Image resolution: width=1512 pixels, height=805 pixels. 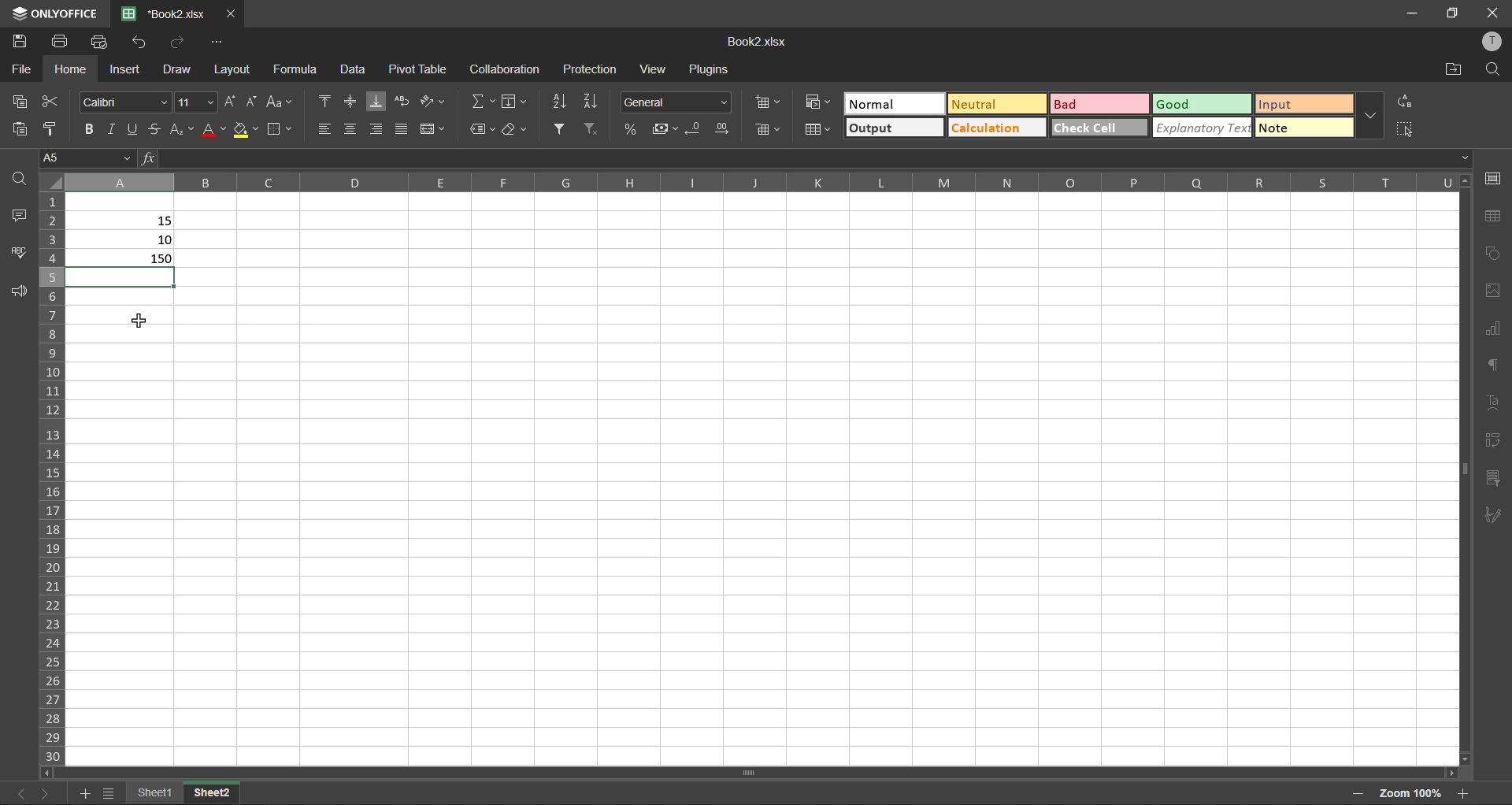 What do you see at coordinates (592, 100) in the screenshot?
I see `sort descending` at bounding box center [592, 100].